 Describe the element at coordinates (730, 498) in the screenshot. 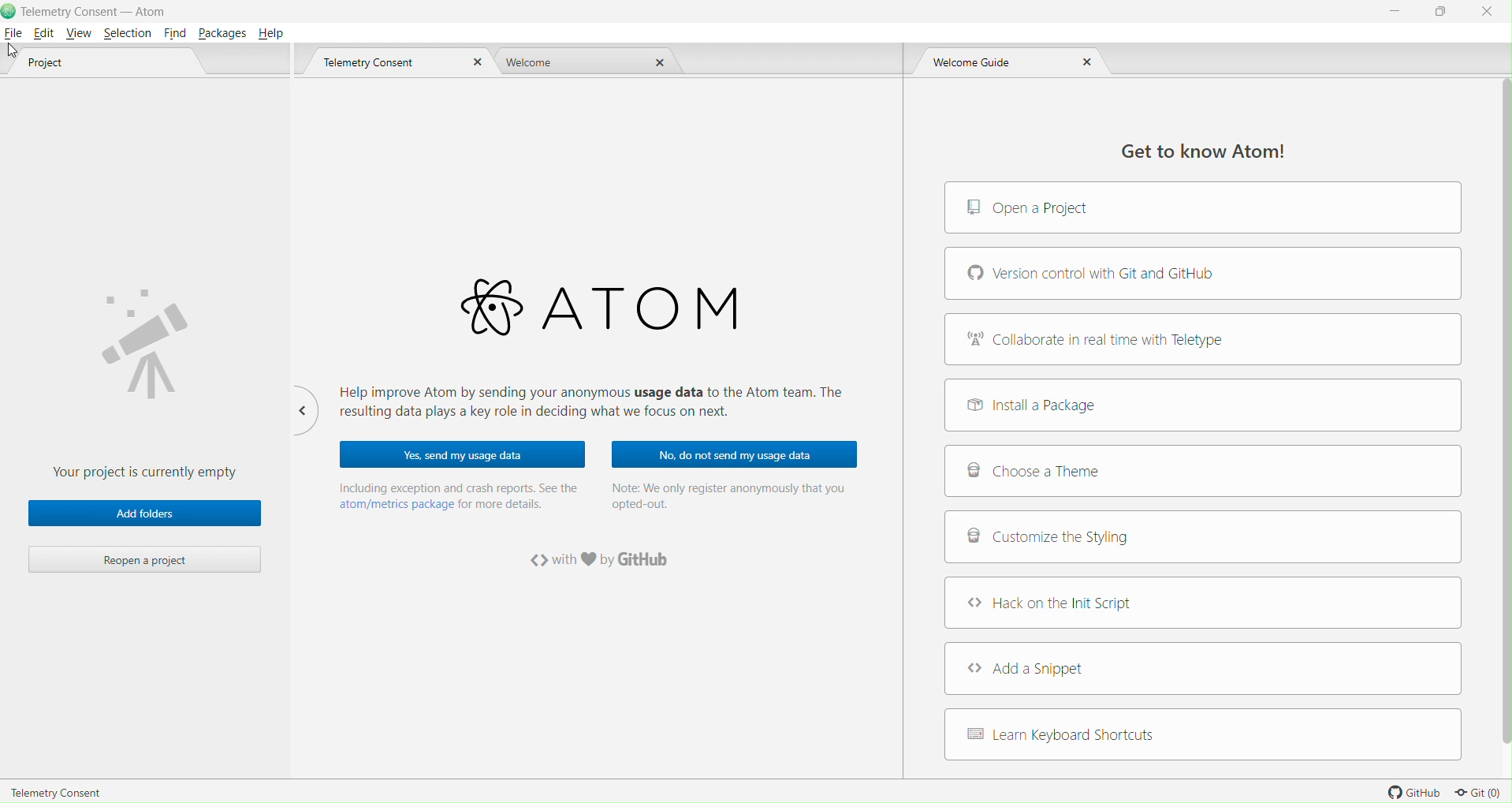

I see `Note: We only register anonymously that you opted-out.` at that location.